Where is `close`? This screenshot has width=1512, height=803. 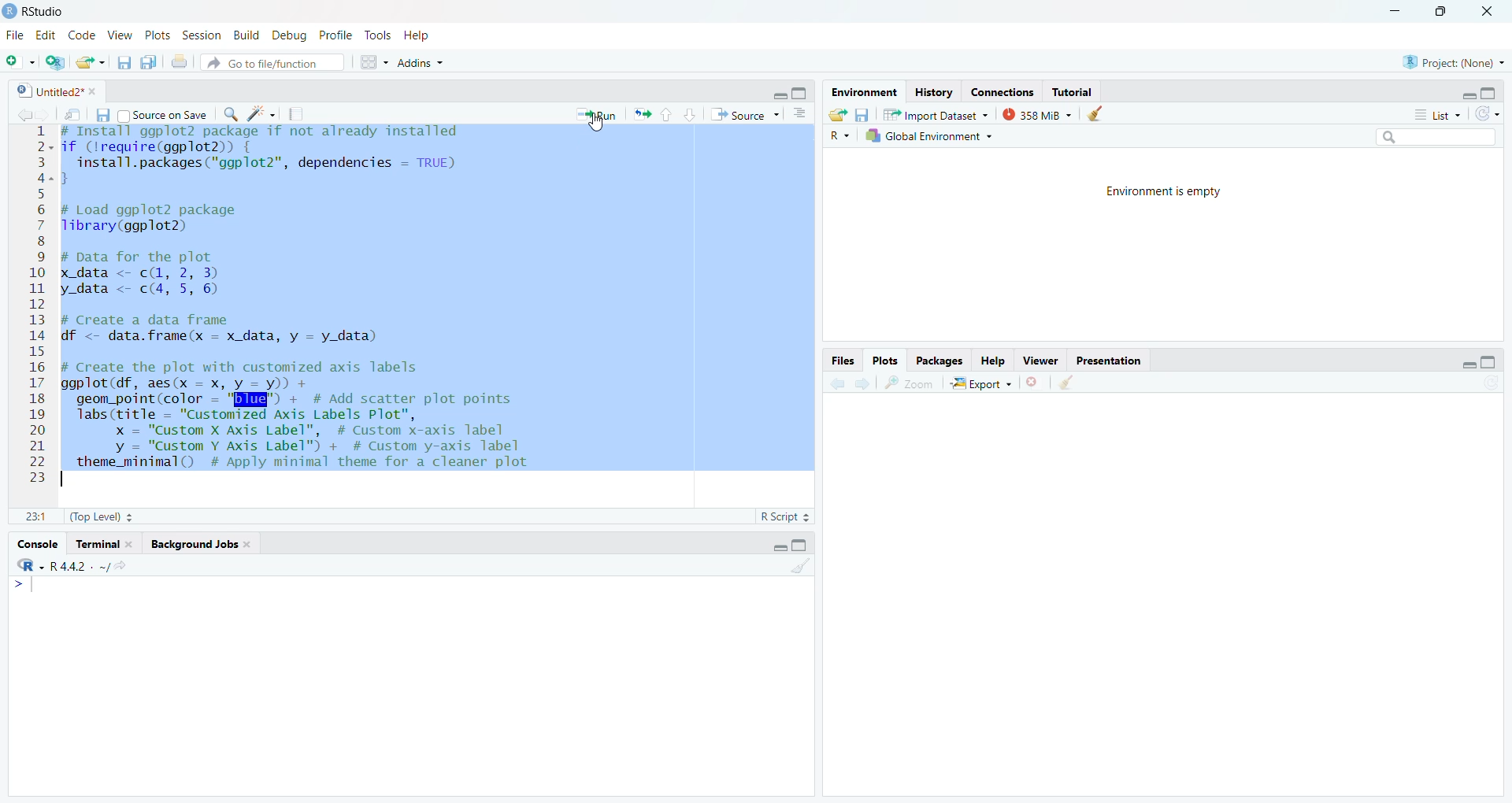
close is located at coordinates (1494, 11).